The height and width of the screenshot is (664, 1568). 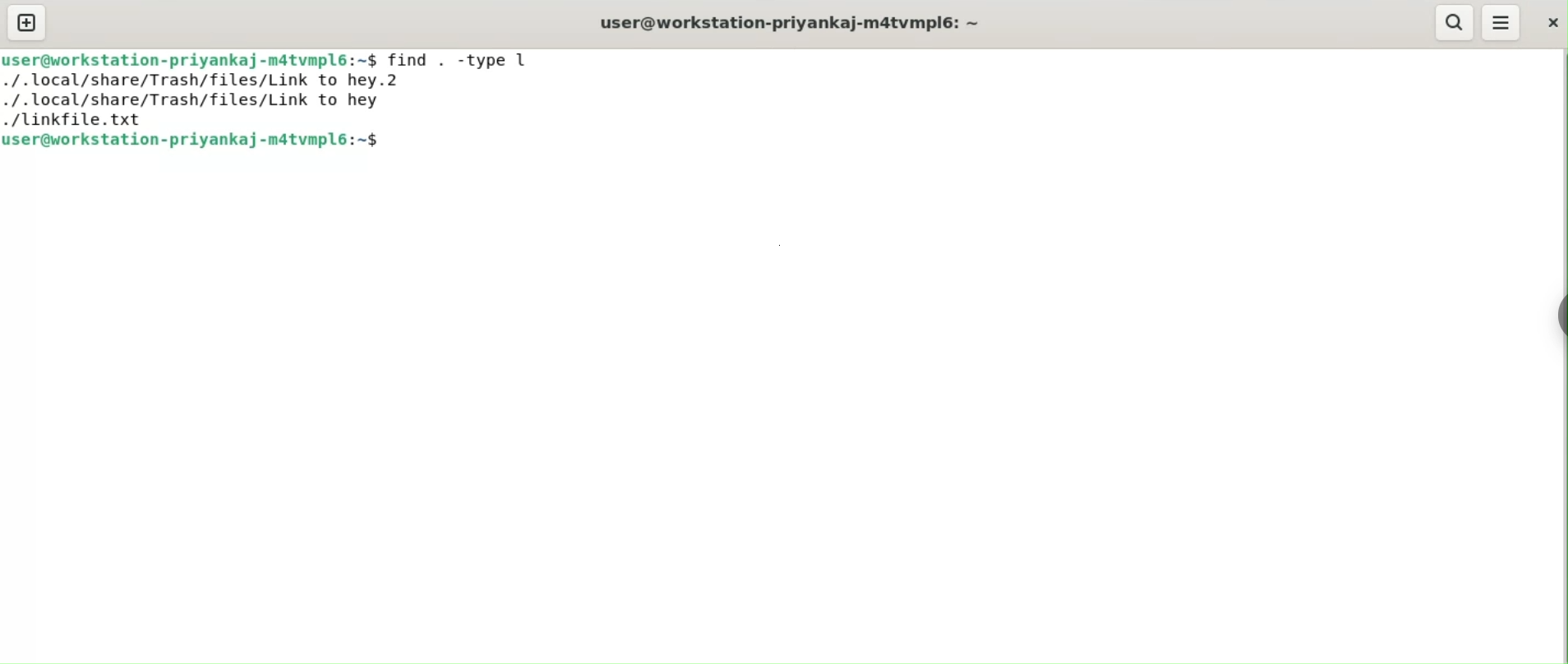 I want to click on menu, so click(x=1503, y=22).